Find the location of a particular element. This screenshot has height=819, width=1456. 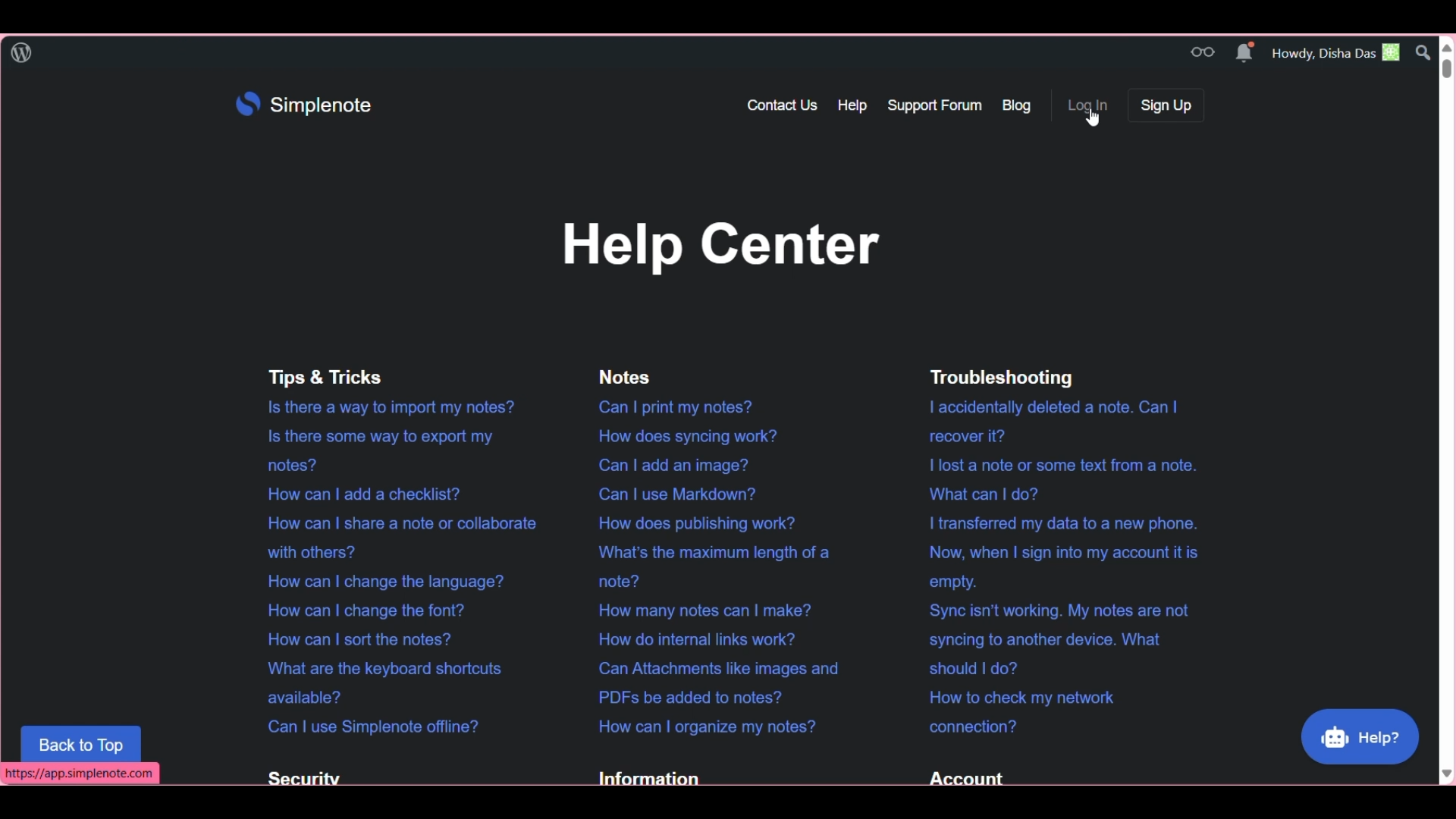

Can | add an image? is located at coordinates (675, 466).